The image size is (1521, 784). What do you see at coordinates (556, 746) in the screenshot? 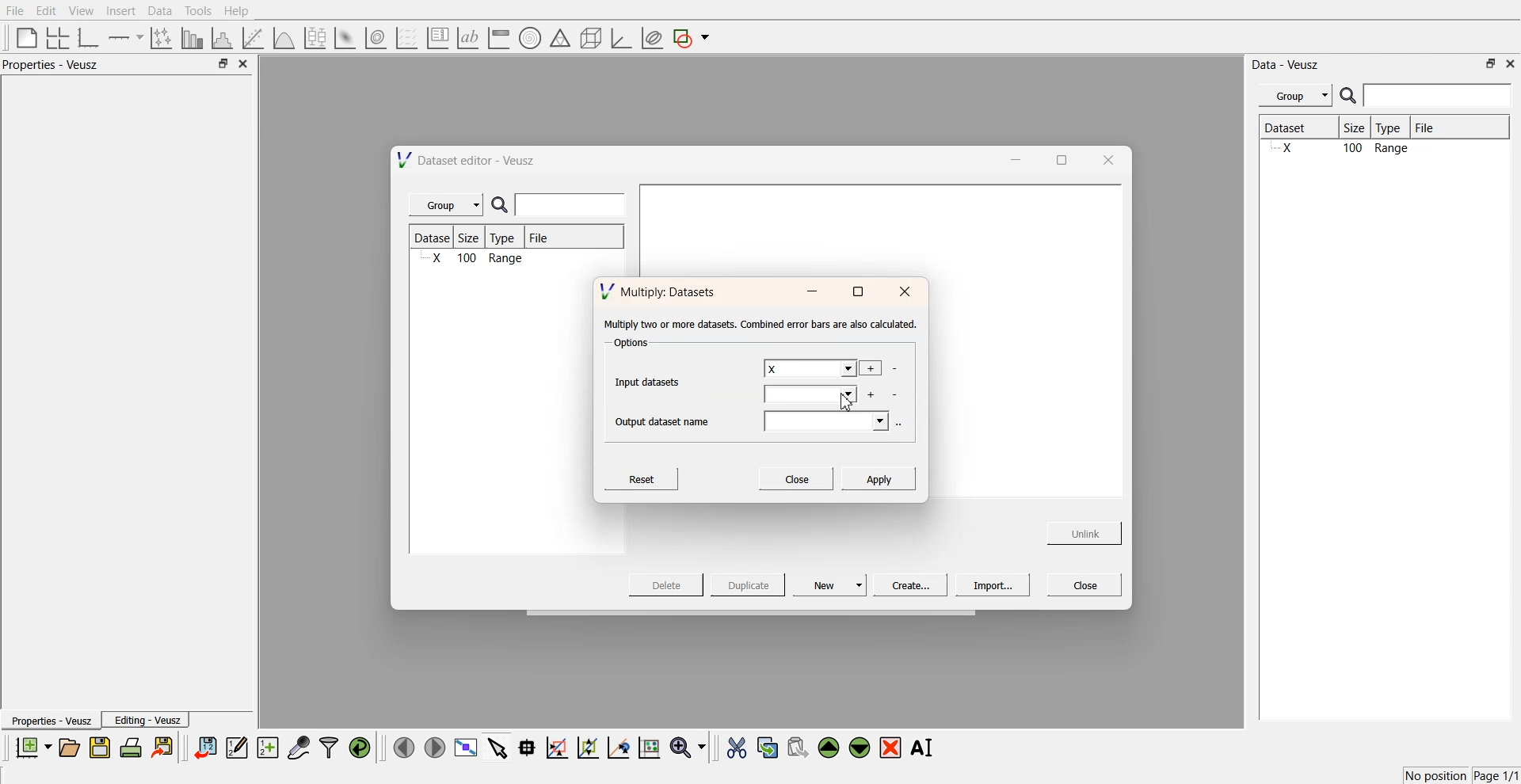
I see `draw a rectangle on zoom graph axes` at bounding box center [556, 746].